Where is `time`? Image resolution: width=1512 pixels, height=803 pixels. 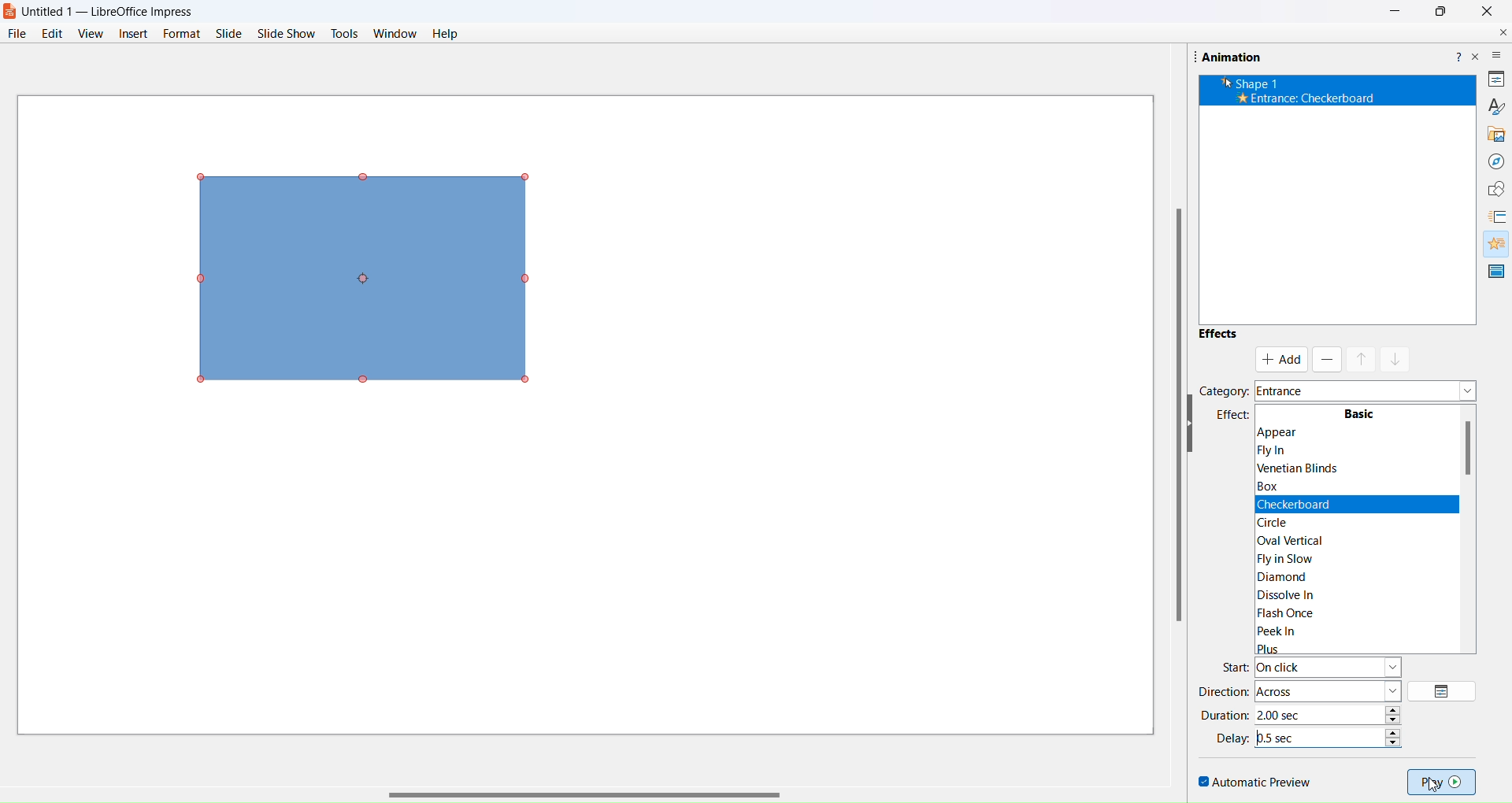
time is located at coordinates (1320, 735).